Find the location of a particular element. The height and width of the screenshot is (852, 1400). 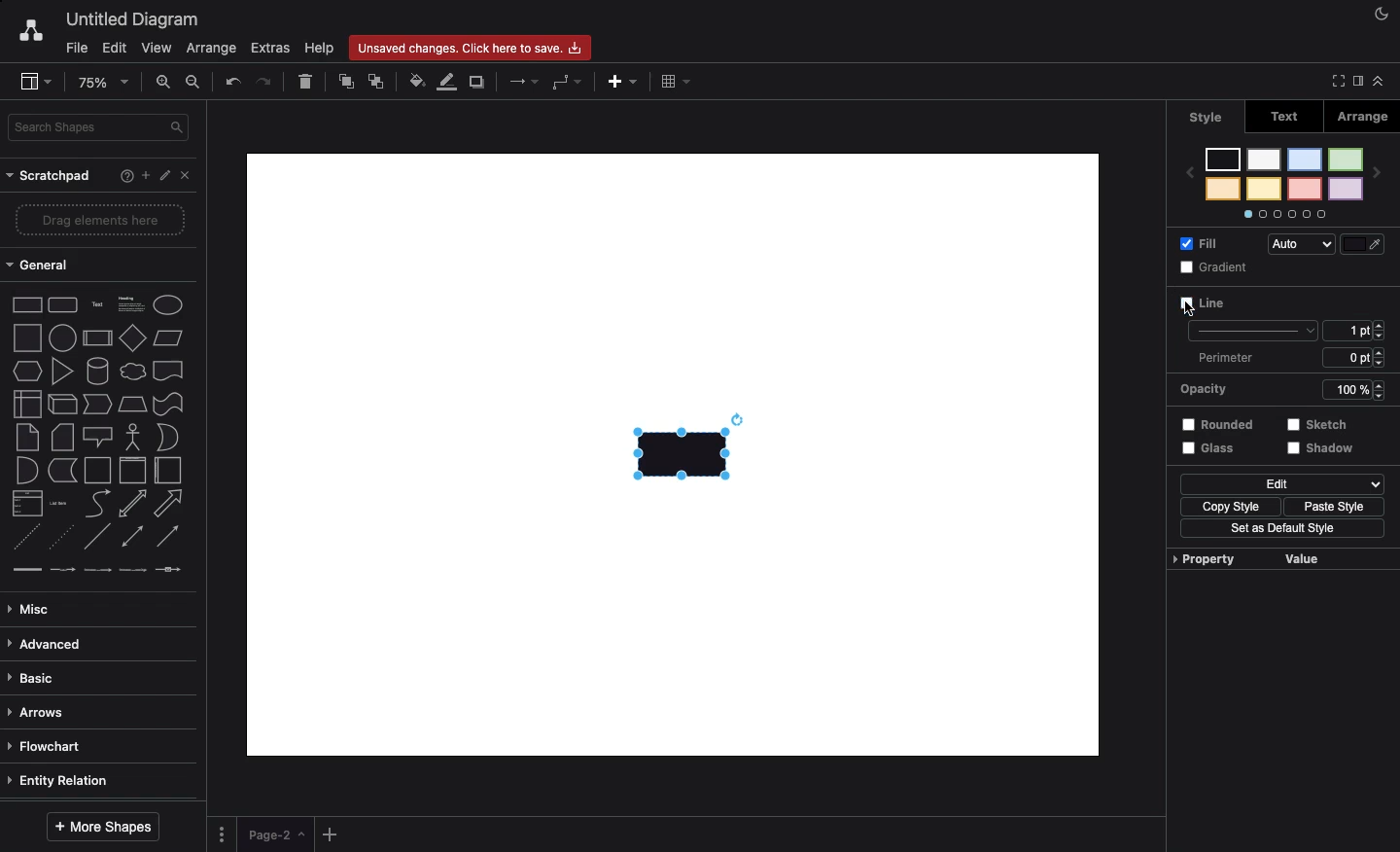

Redo is located at coordinates (266, 85).